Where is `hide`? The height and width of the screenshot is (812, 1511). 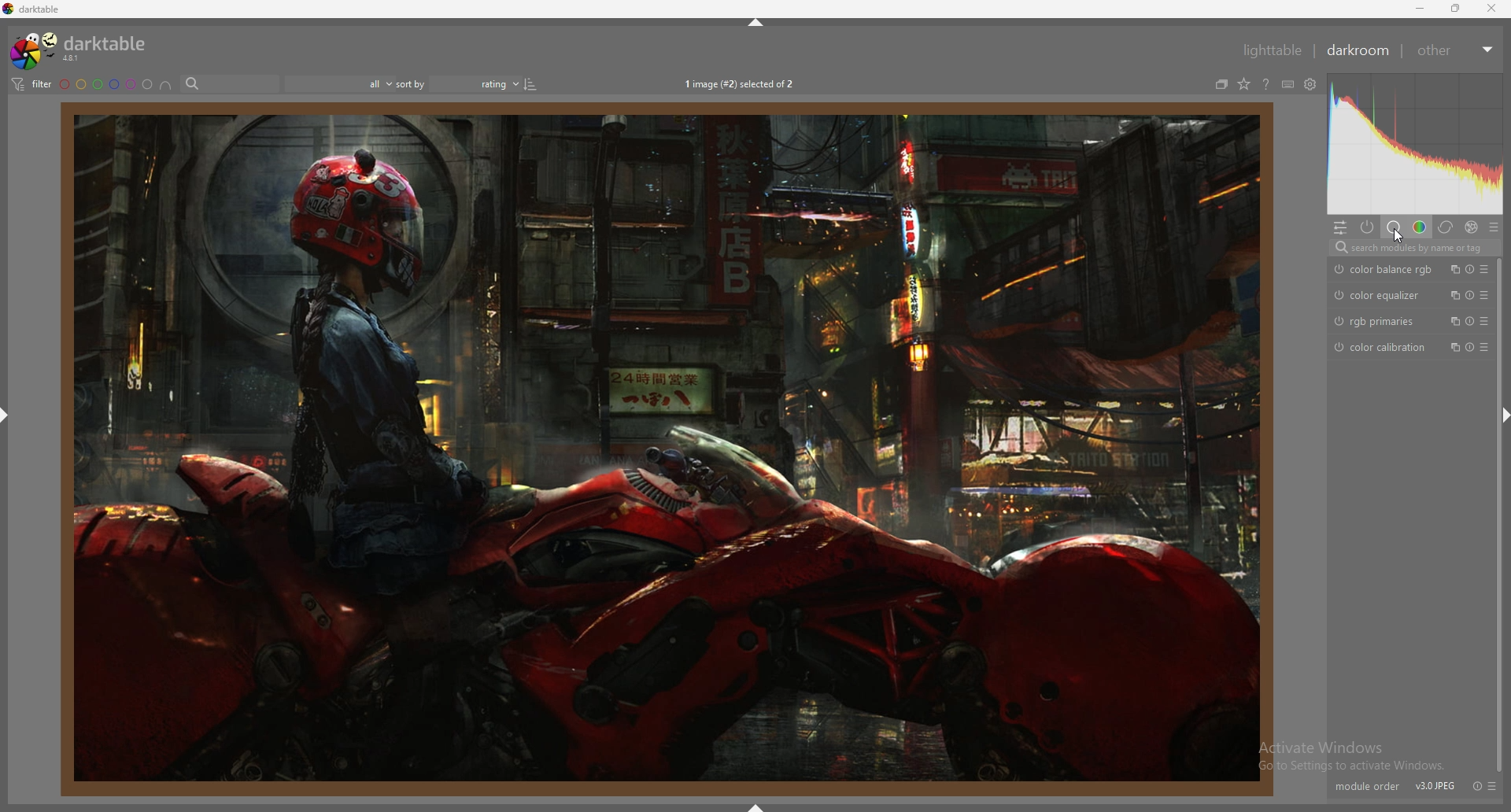 hide is located at coordinates (752, 23).